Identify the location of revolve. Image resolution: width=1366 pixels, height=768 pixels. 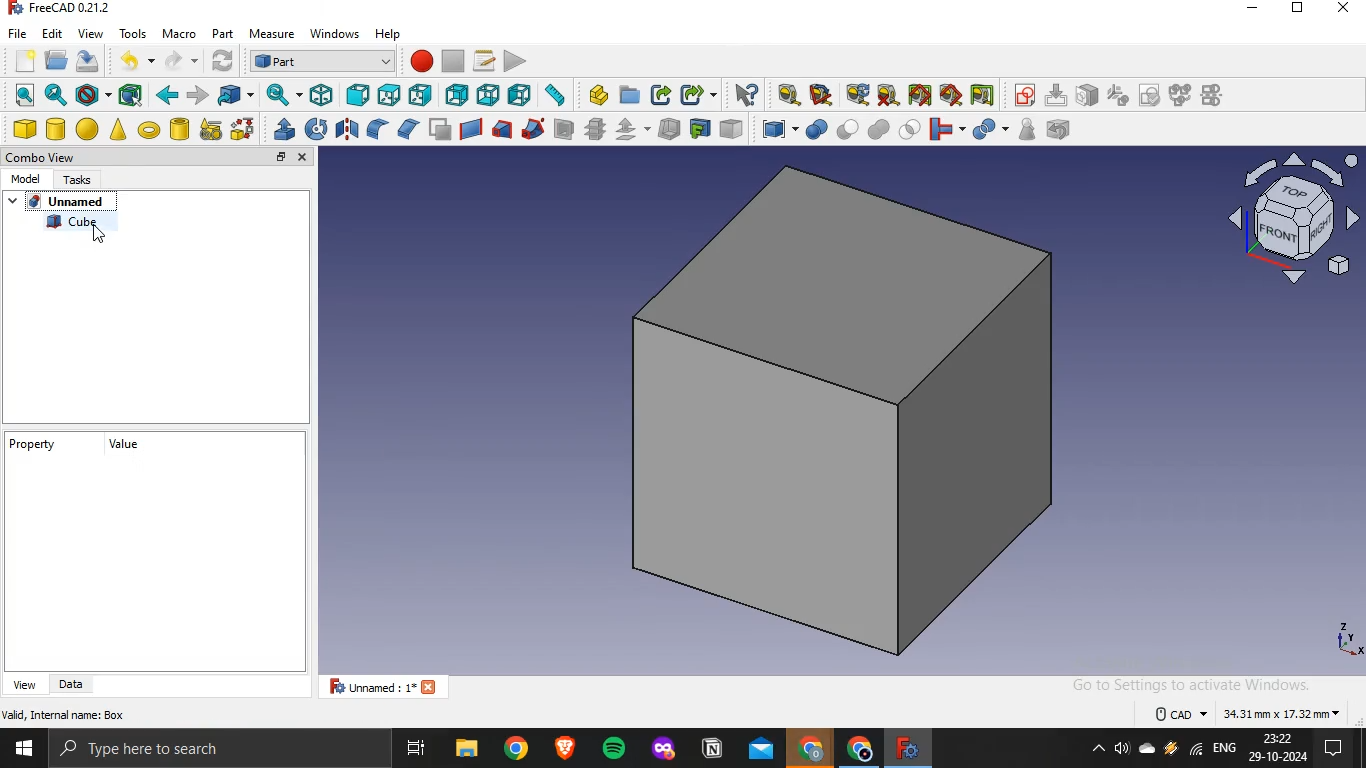
(316, 128).